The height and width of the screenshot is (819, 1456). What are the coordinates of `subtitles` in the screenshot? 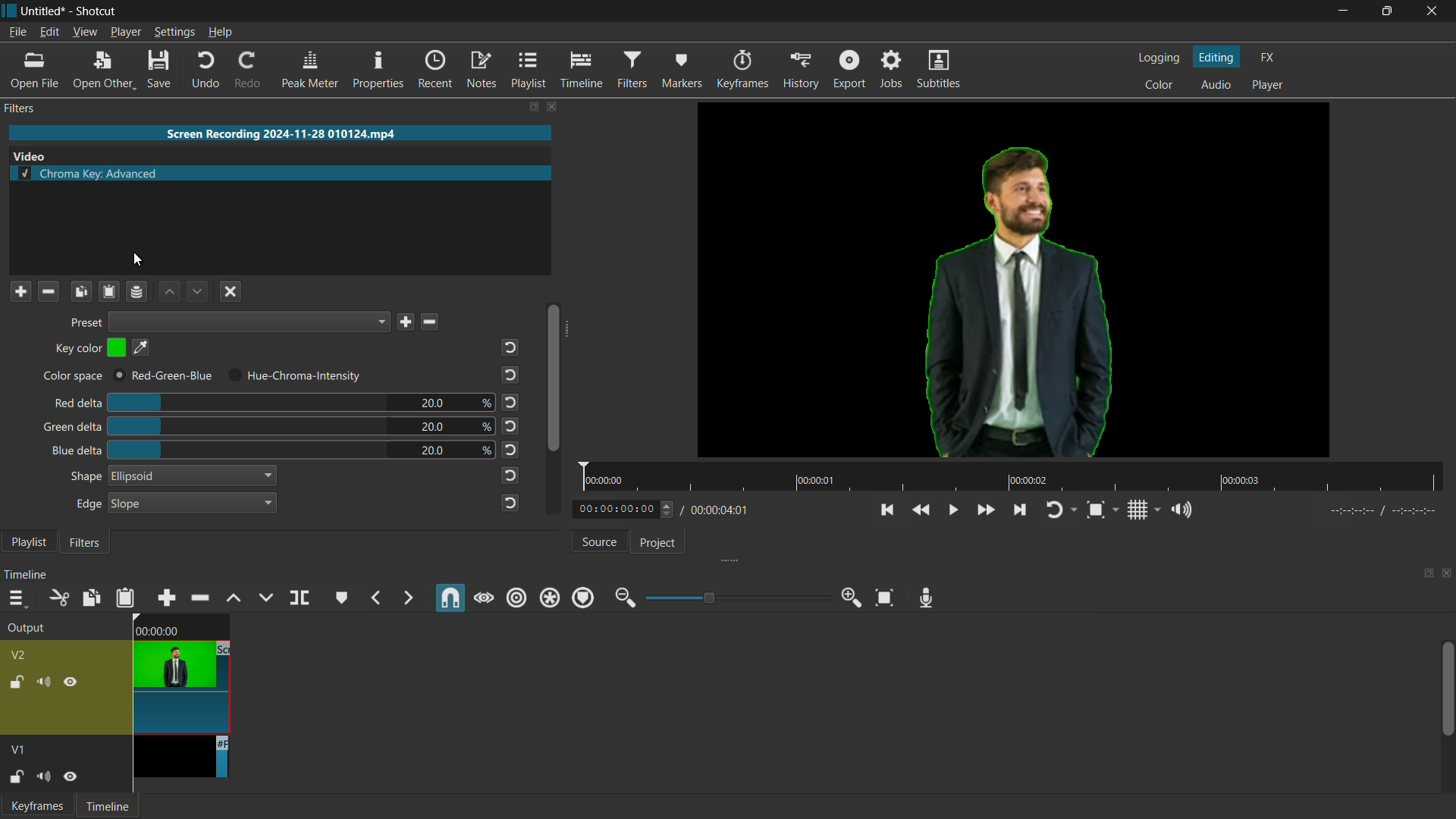 It's located at (940, 69).